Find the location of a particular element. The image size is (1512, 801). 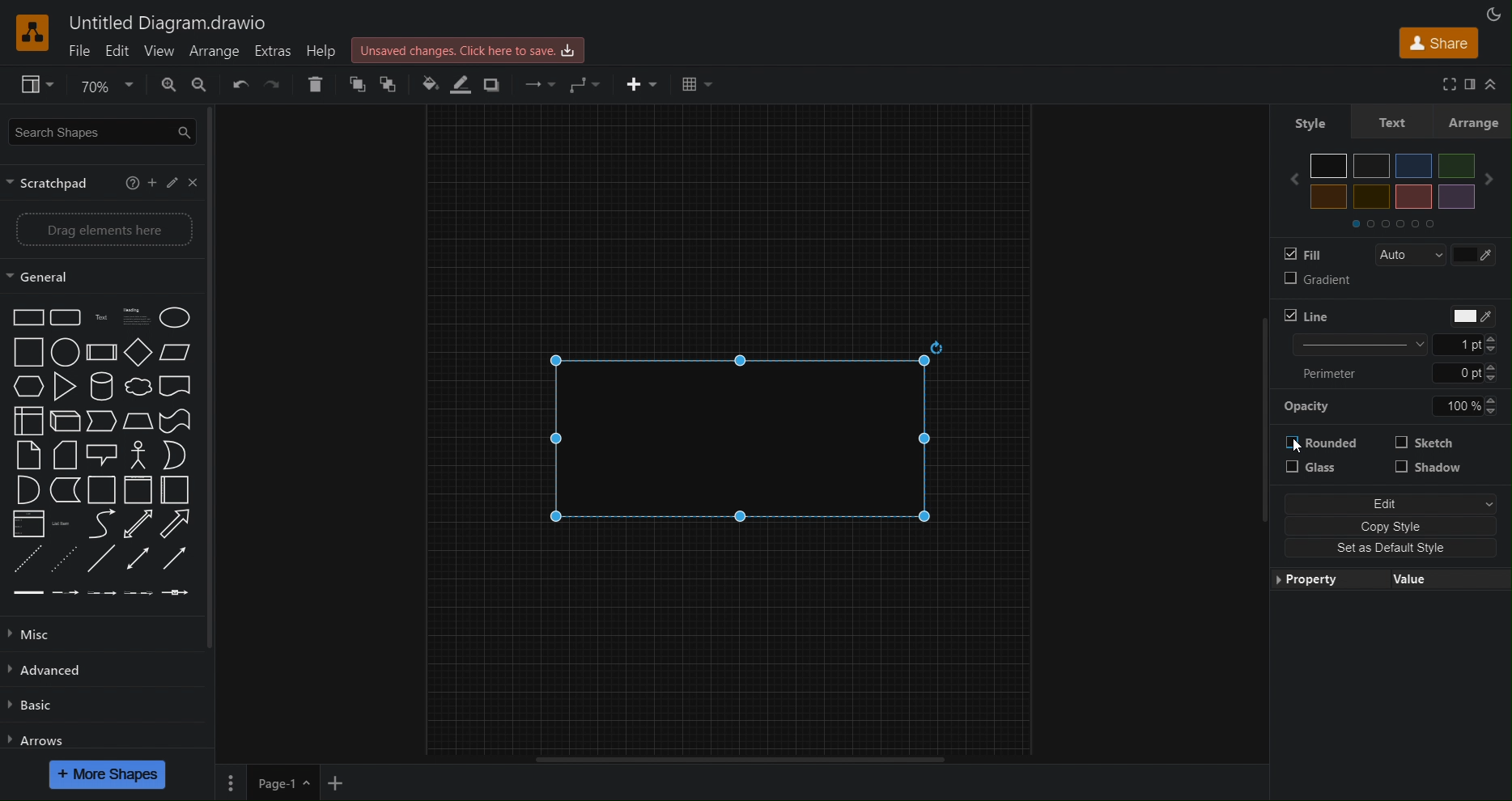

Add More Pages is located at coordinates (336, 783).